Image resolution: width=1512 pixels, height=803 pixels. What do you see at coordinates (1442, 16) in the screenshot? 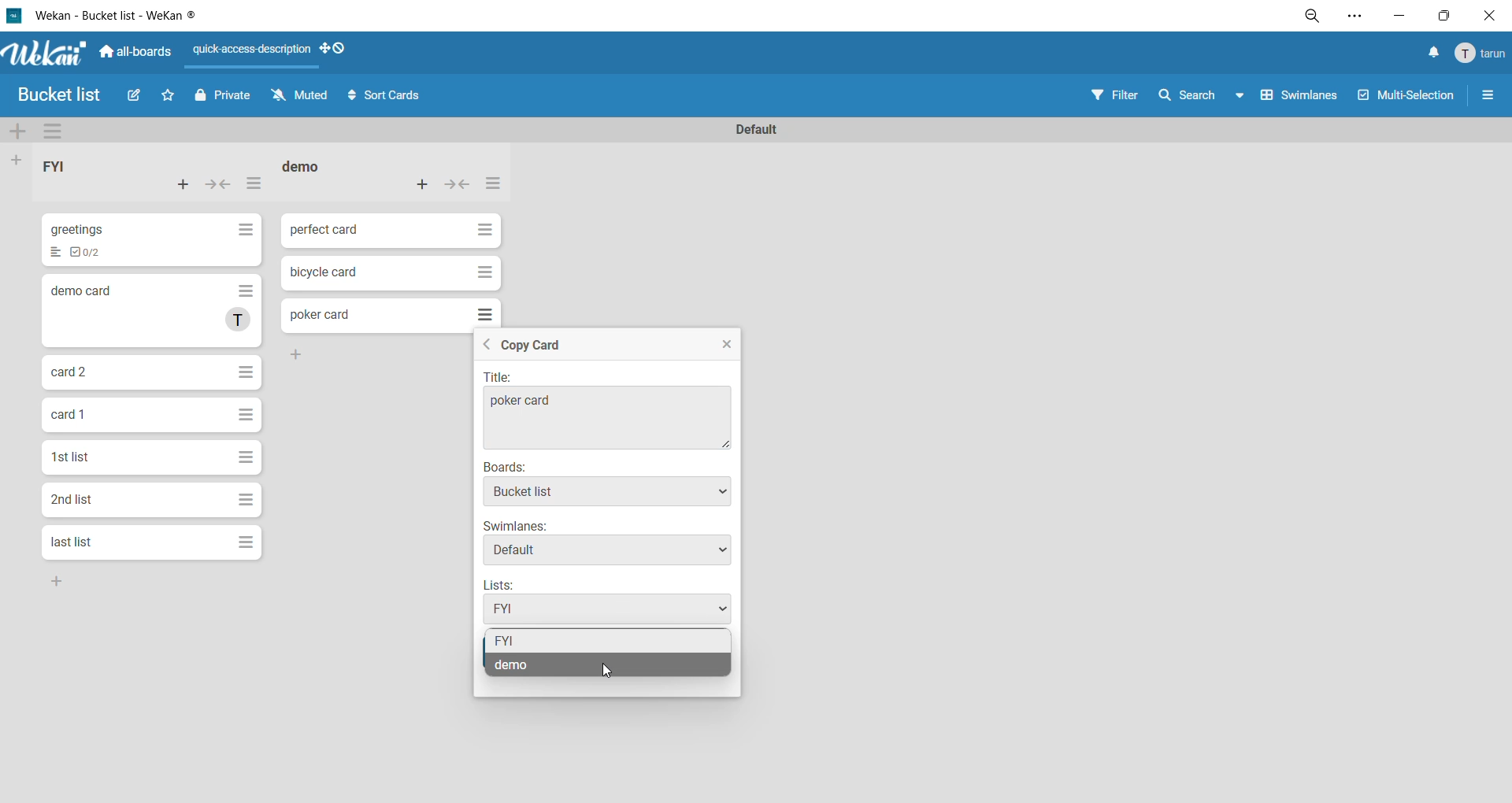
I see `maximize` at bounding box center [1442, 16].